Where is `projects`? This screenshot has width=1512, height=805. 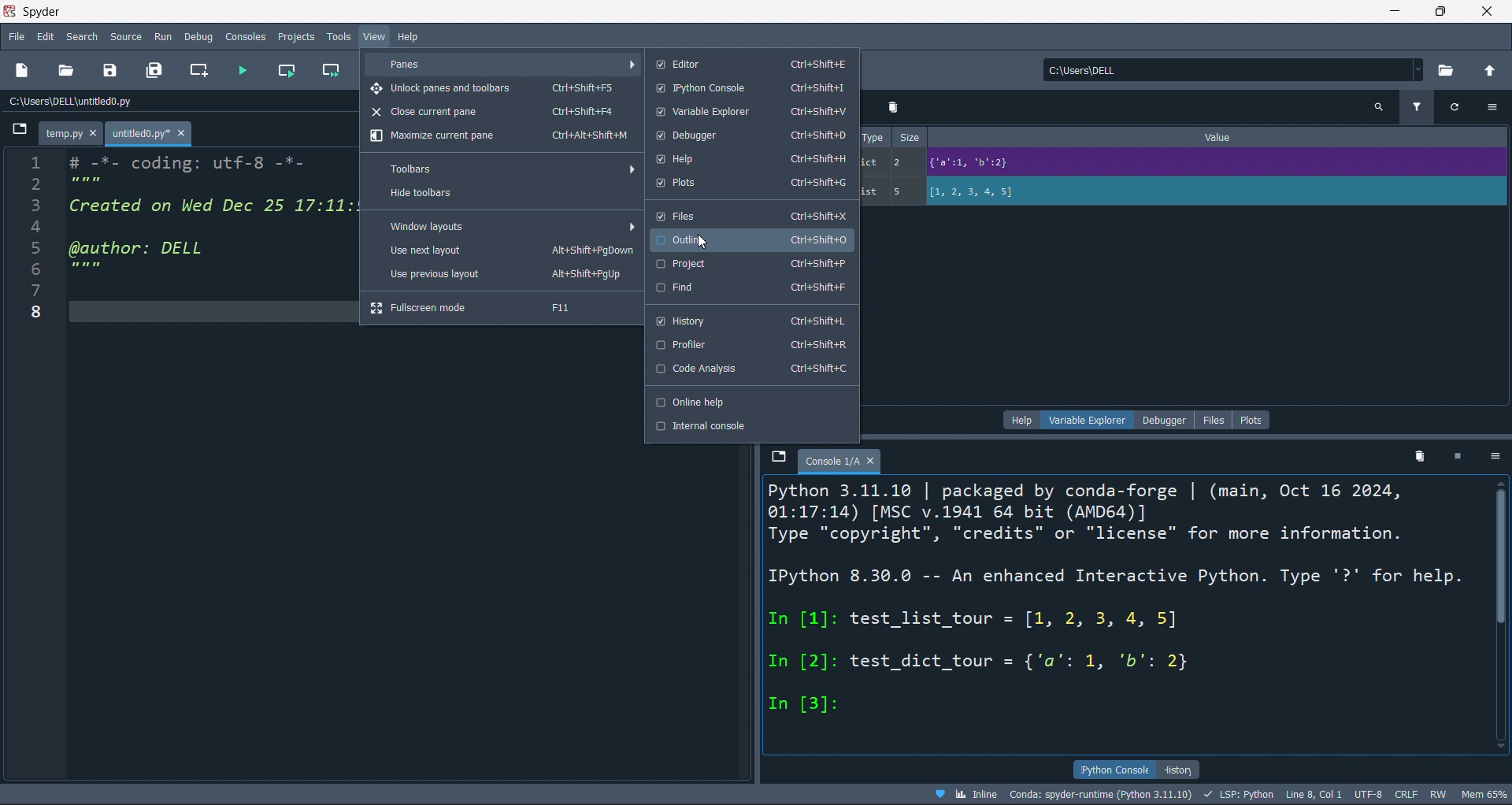
projects is located at coordinates (296, 36).